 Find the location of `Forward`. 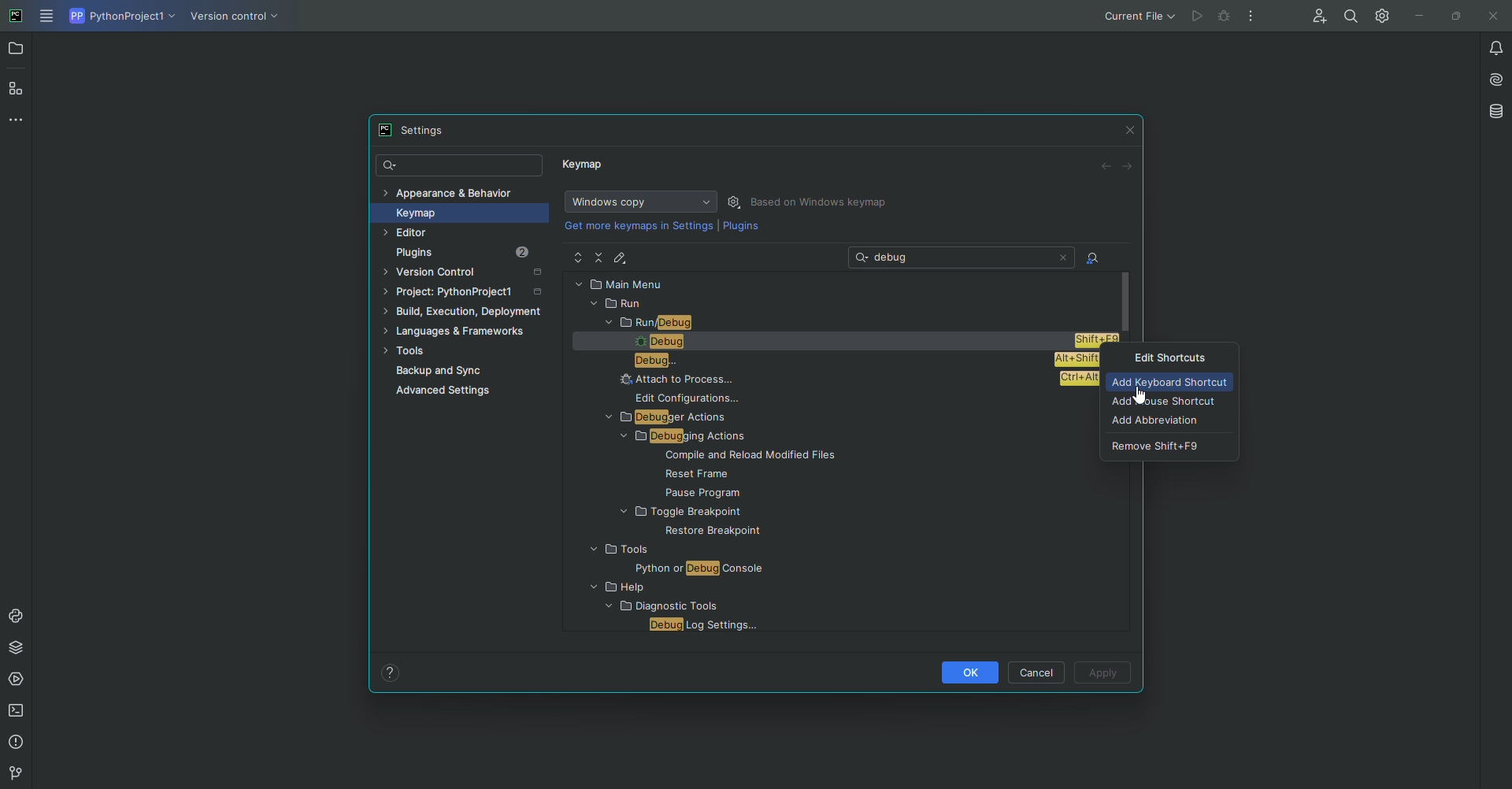

Forward is located at coordinates (1128, 166).